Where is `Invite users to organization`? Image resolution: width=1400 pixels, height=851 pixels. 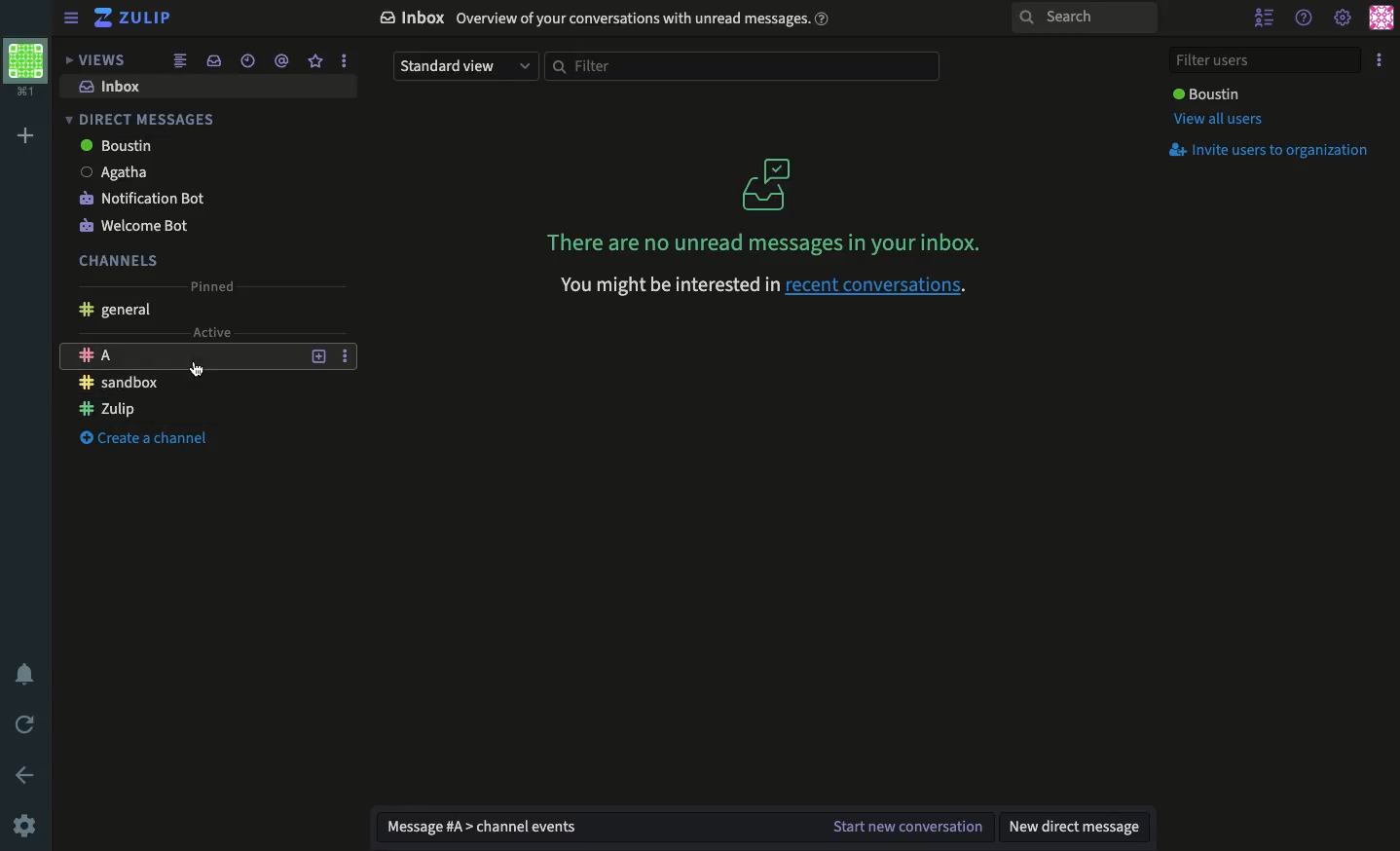
Invite users to organization is located at coordinates (1274, 152).